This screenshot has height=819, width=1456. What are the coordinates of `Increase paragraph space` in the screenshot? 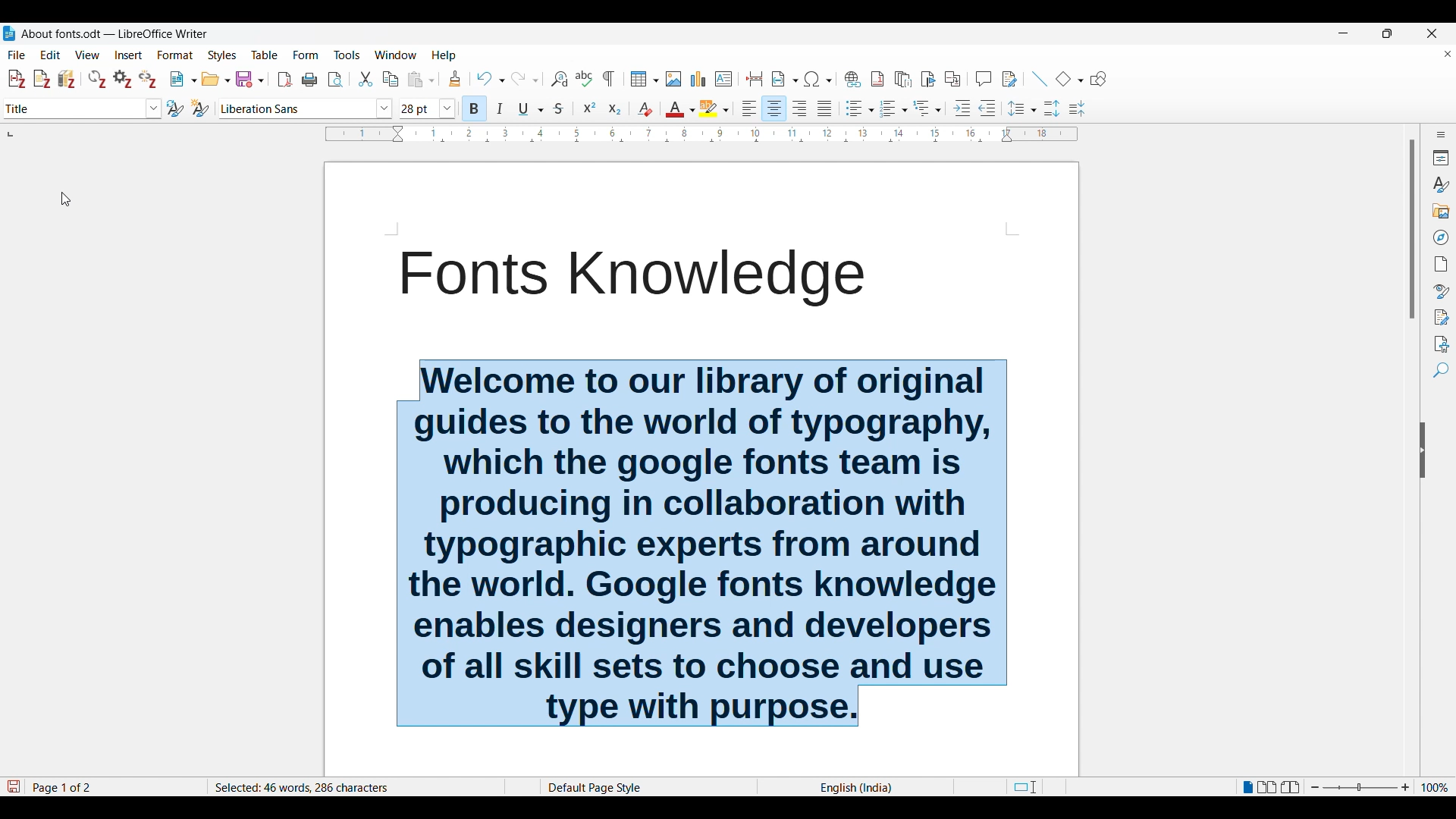 It's located at (1053, 108).